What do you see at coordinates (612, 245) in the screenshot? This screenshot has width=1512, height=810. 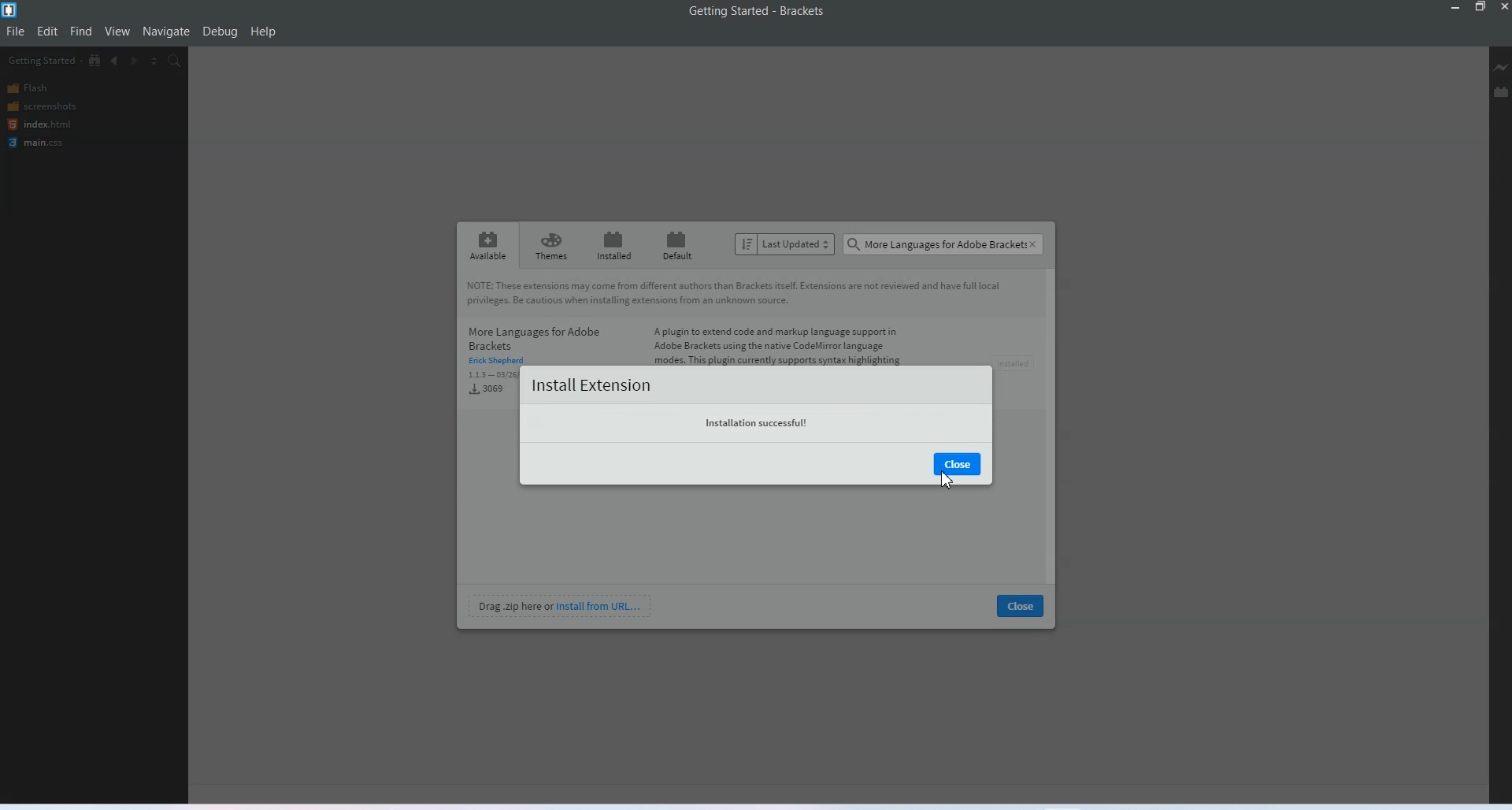 I see `Installed` at bounding box center [612, 245].